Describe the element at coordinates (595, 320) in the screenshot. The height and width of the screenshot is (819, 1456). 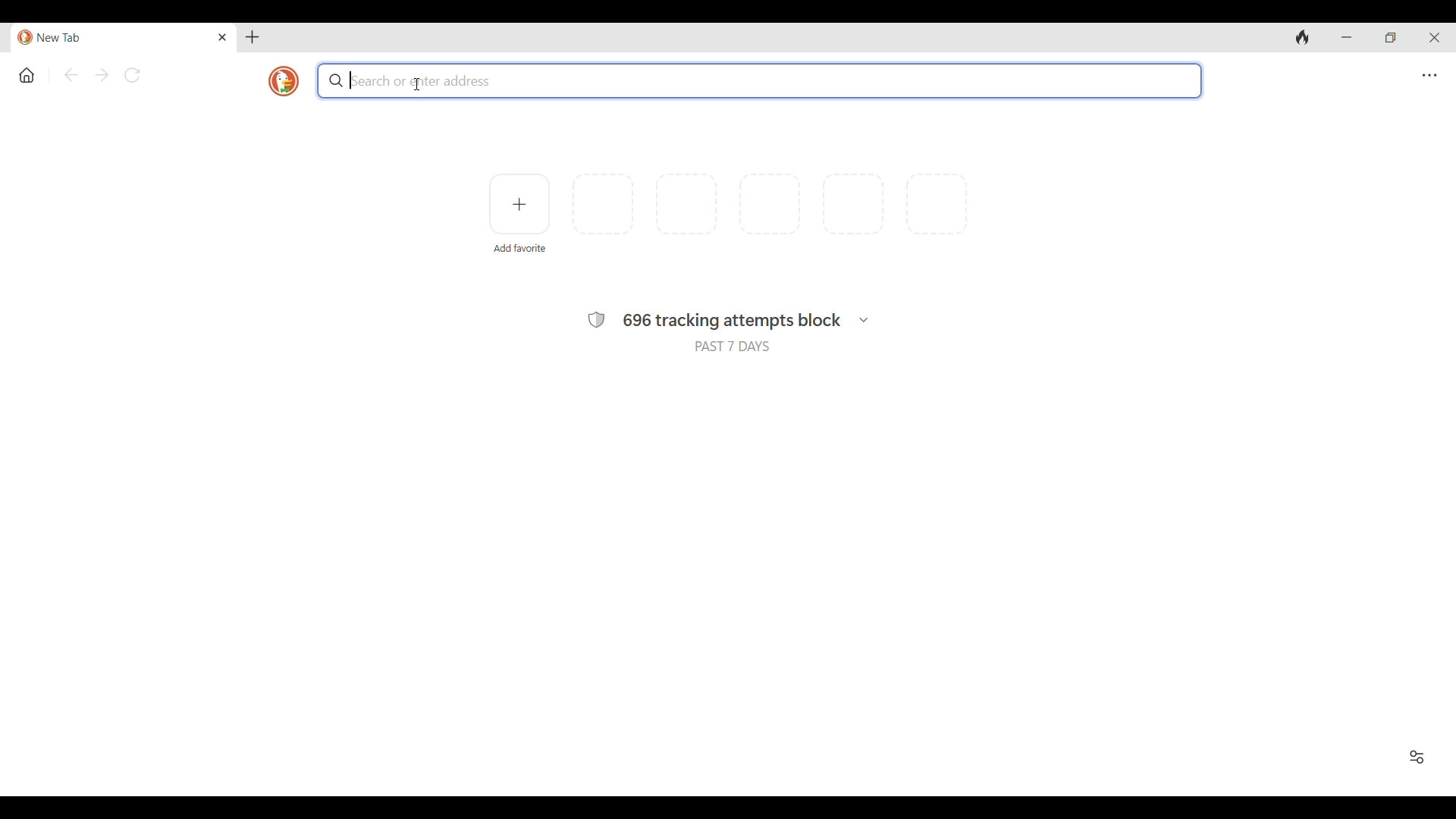
I see `Browser protection symbol` at that location.